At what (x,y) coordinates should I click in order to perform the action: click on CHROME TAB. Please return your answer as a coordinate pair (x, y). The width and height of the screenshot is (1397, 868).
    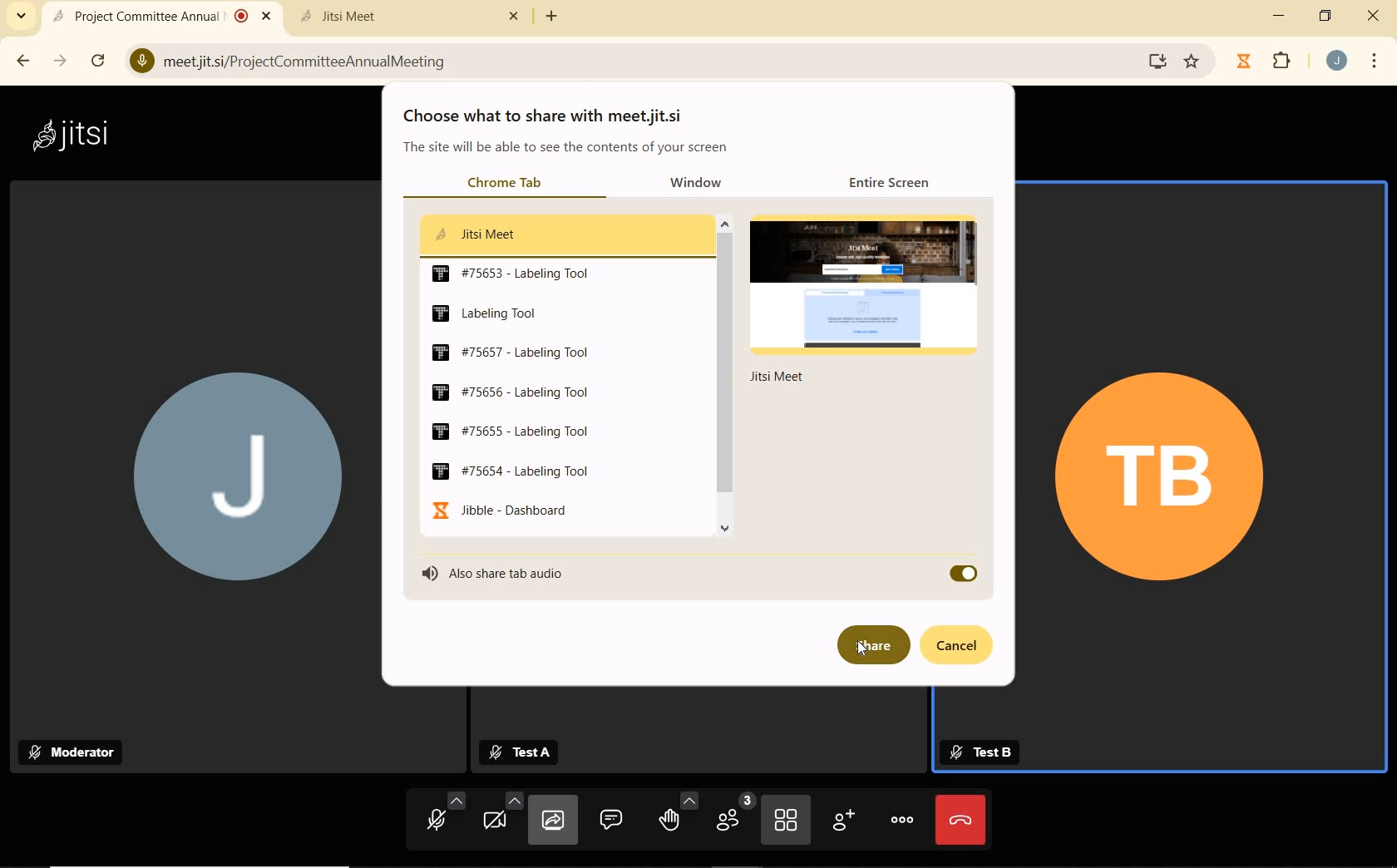
    Looking at the image, I should click on (504, 184).